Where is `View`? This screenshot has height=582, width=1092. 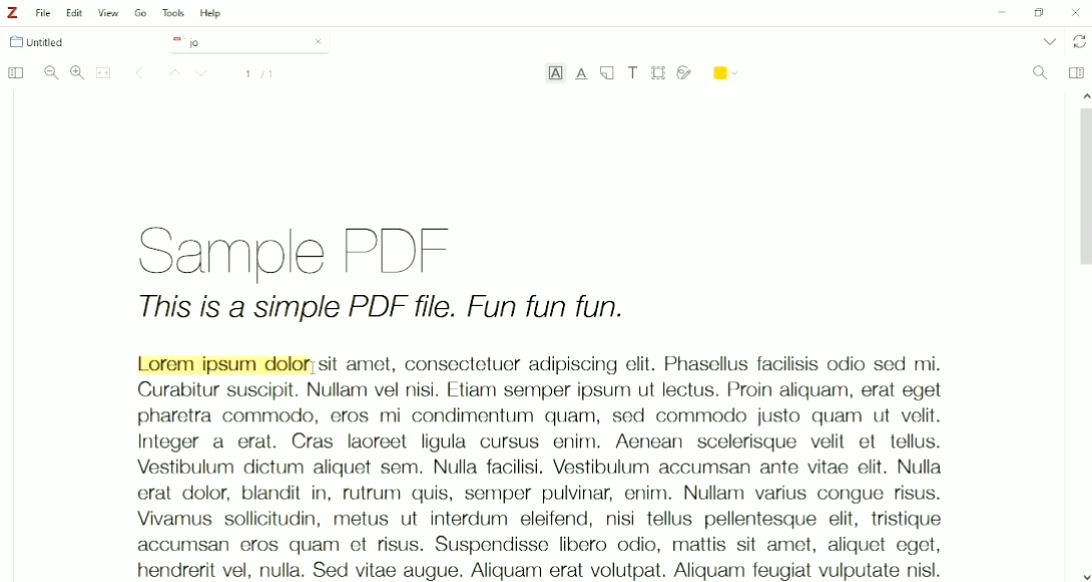
View is located at coordinates (109, 13).